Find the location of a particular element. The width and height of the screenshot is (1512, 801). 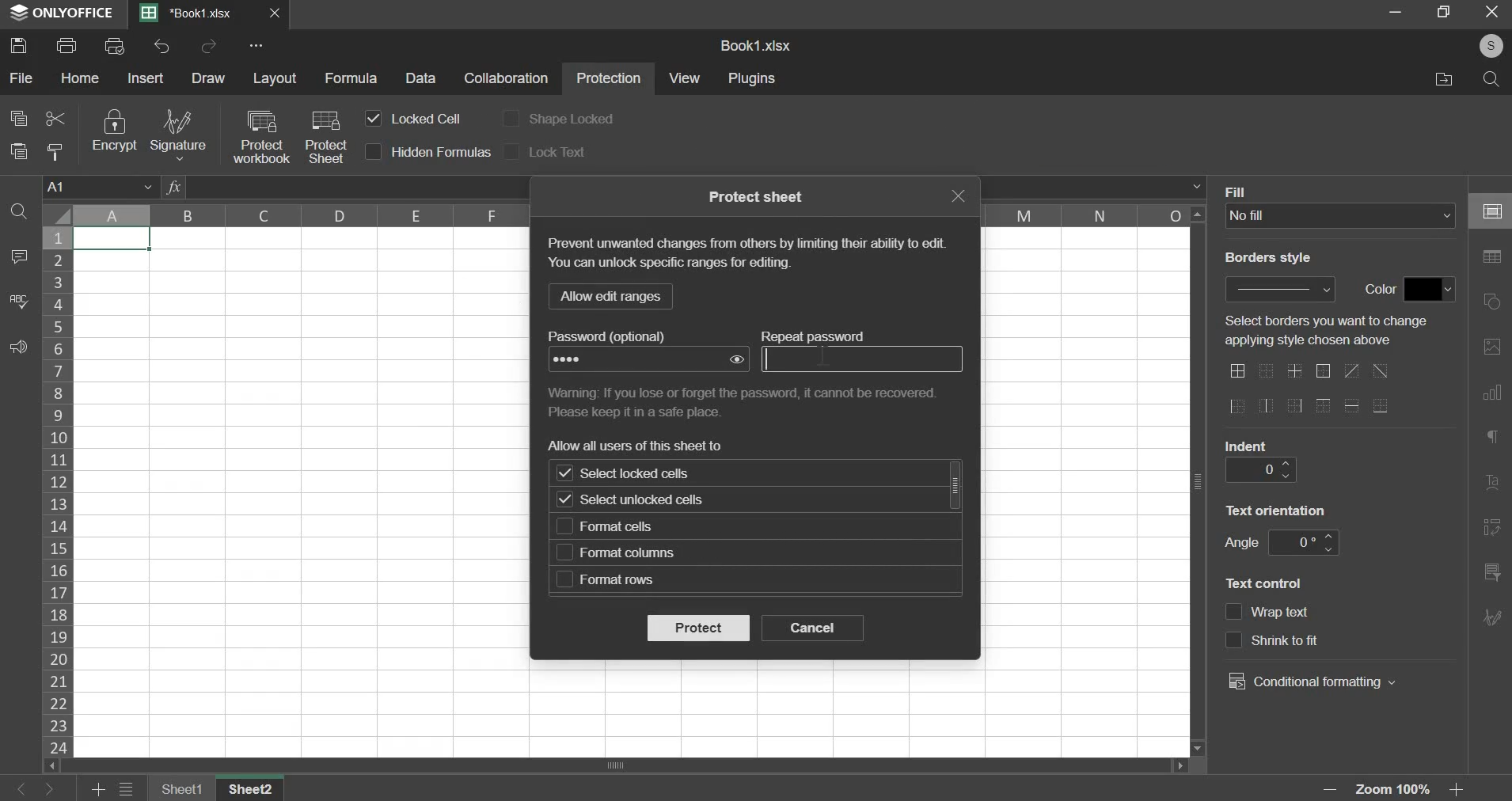

lock text is located at coordinates (557, 151).